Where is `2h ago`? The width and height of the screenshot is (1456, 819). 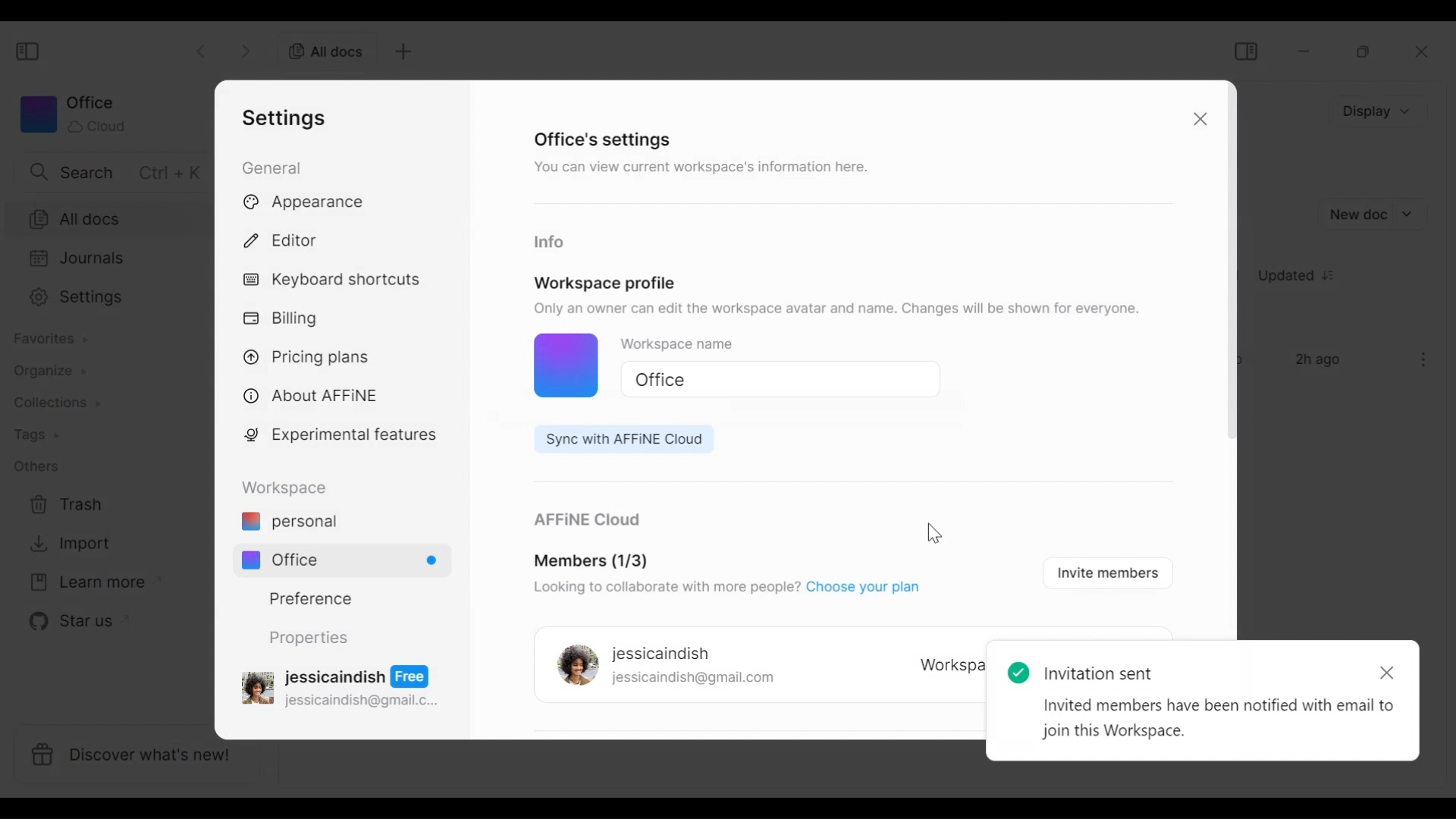 2h ago is located at coordinates (1321, 361).